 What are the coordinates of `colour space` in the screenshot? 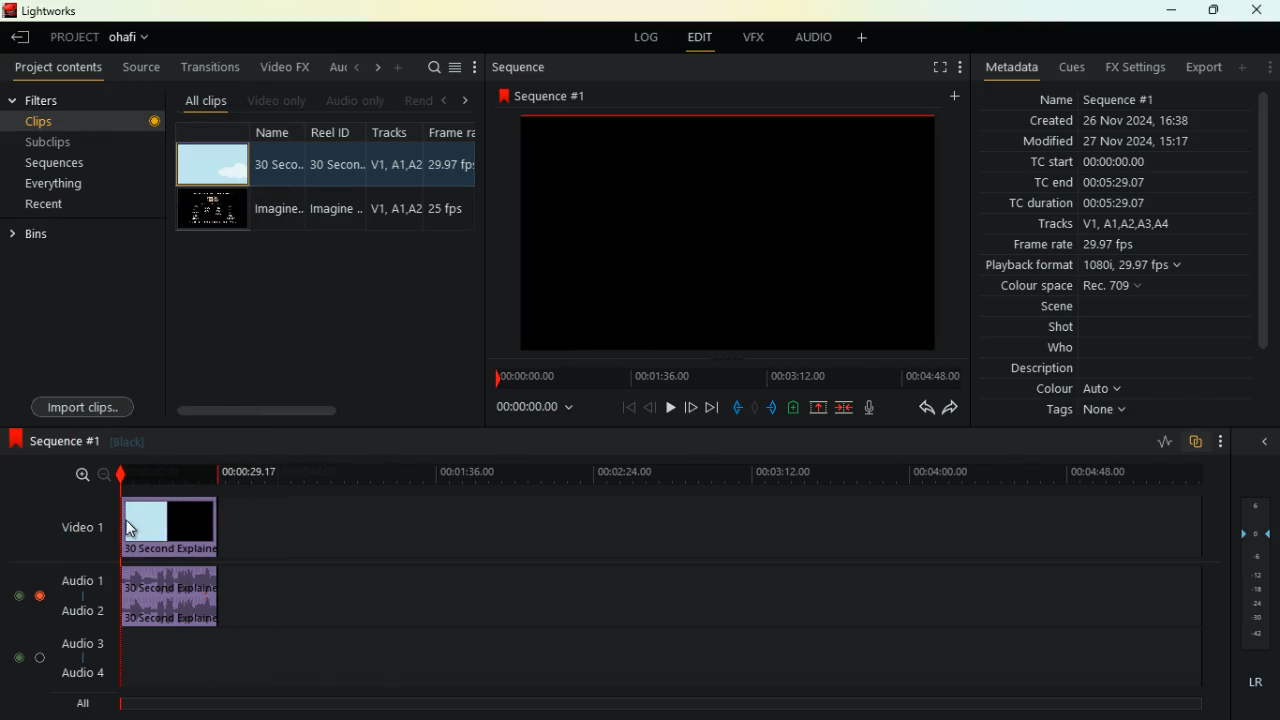 It's located at (1071, 287).